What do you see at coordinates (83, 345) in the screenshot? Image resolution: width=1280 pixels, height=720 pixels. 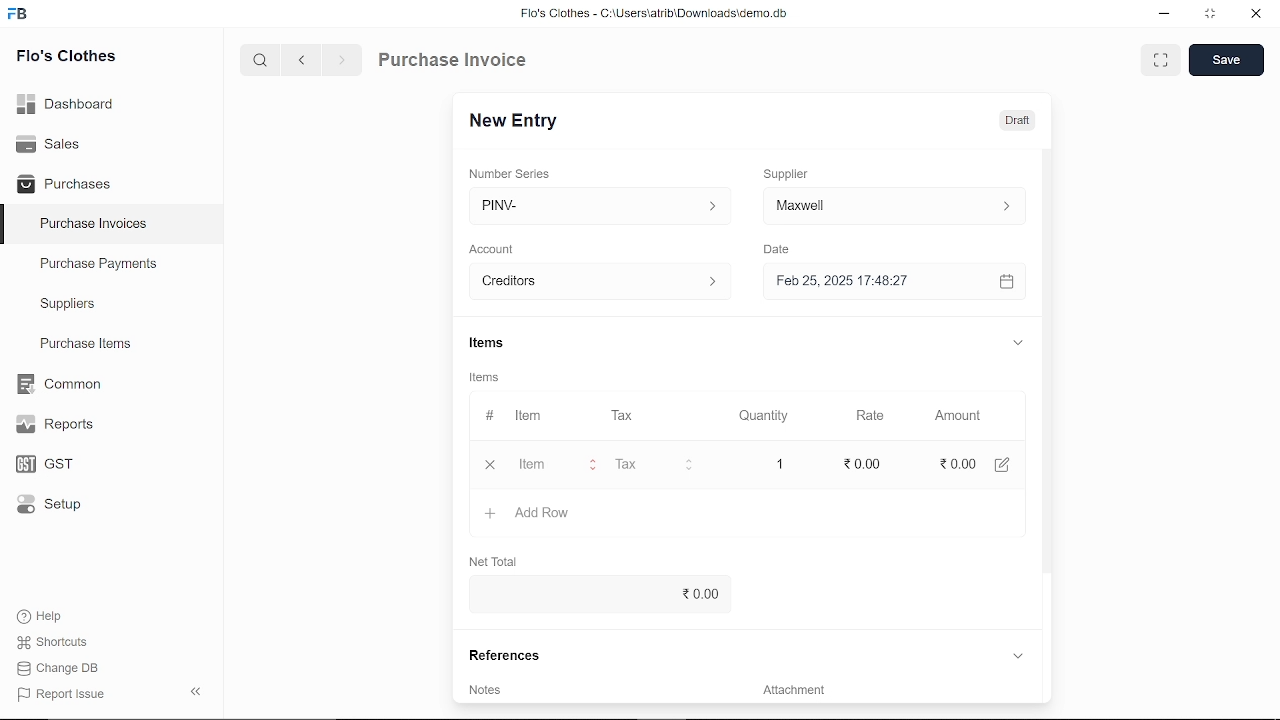 I see `Purchase ltems` at bounding box center [83, 345].